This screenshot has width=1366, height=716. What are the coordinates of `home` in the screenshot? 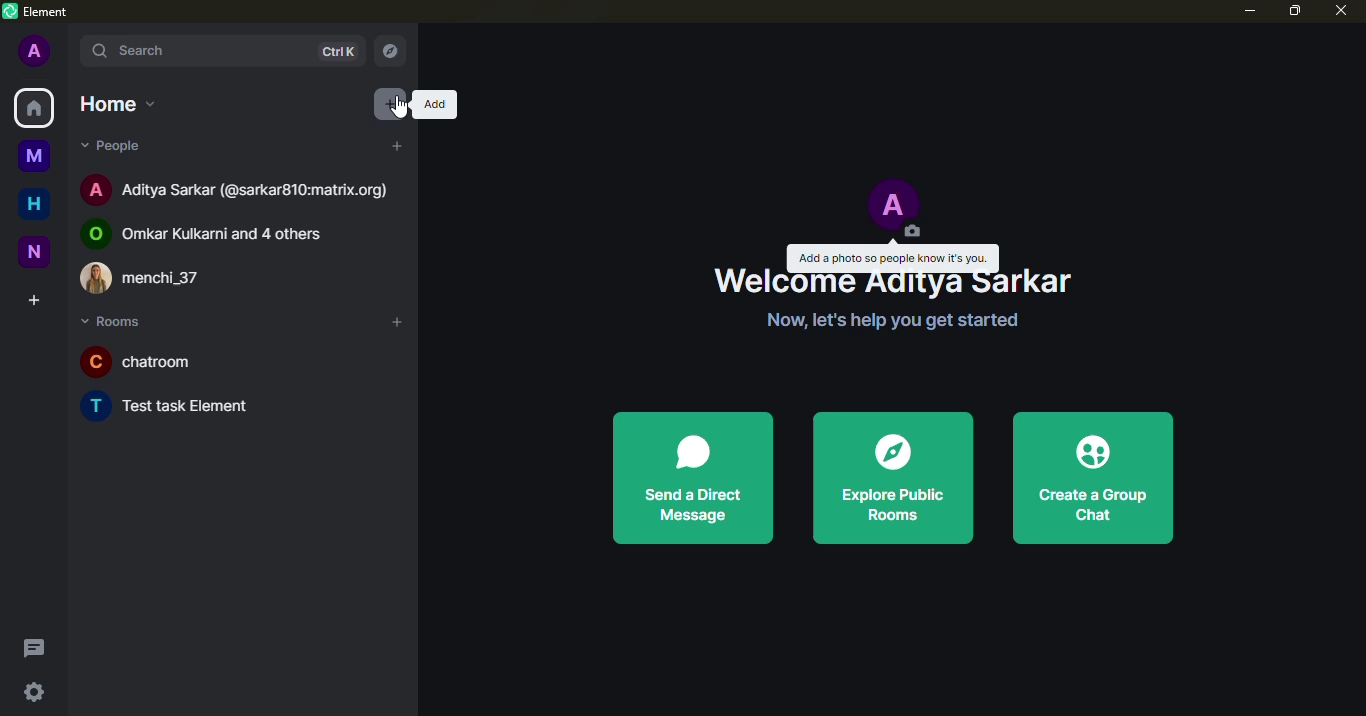 It's located at (120, 105).